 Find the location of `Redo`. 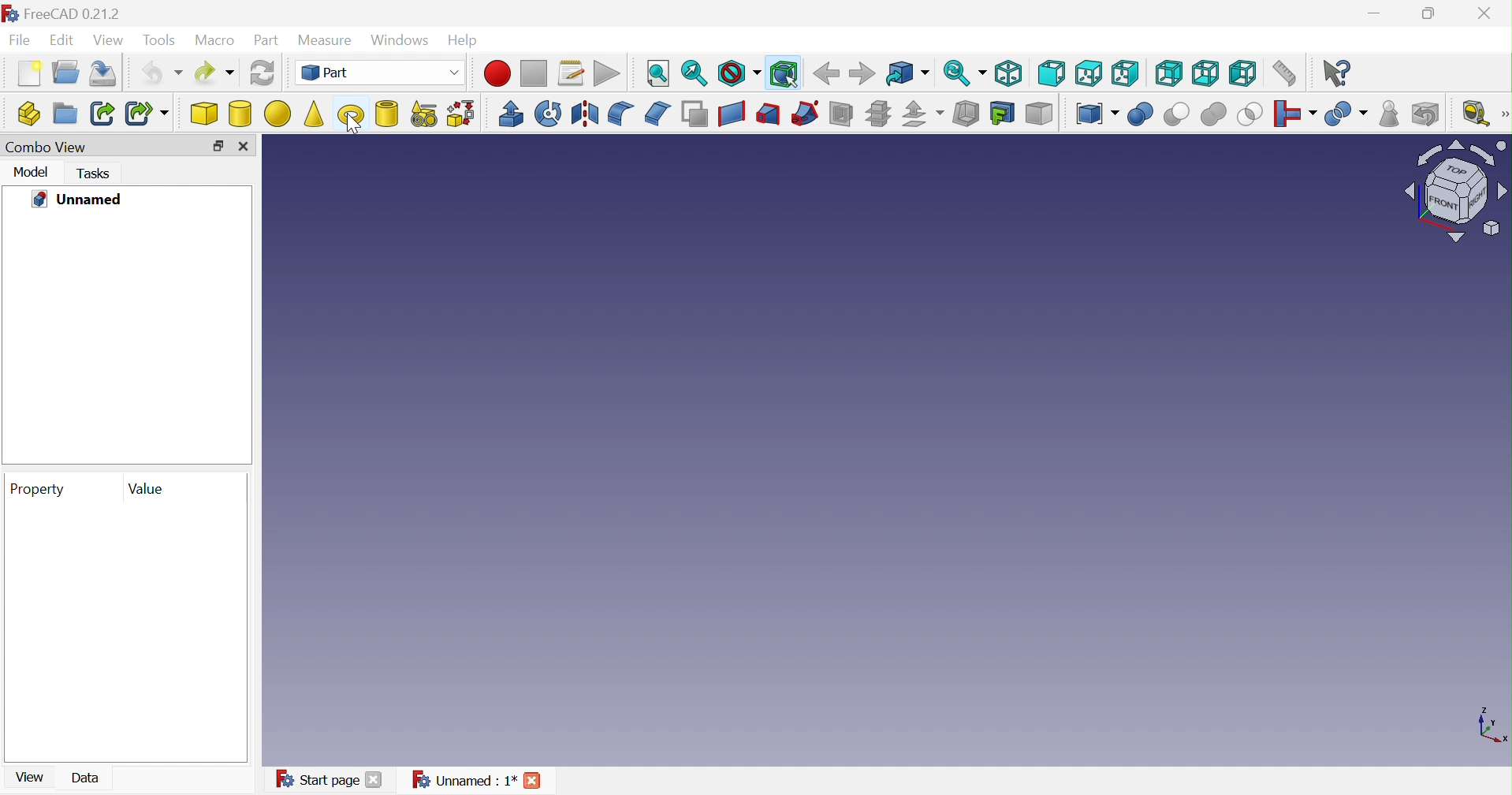

Redo is located at coordinates (215, 72).